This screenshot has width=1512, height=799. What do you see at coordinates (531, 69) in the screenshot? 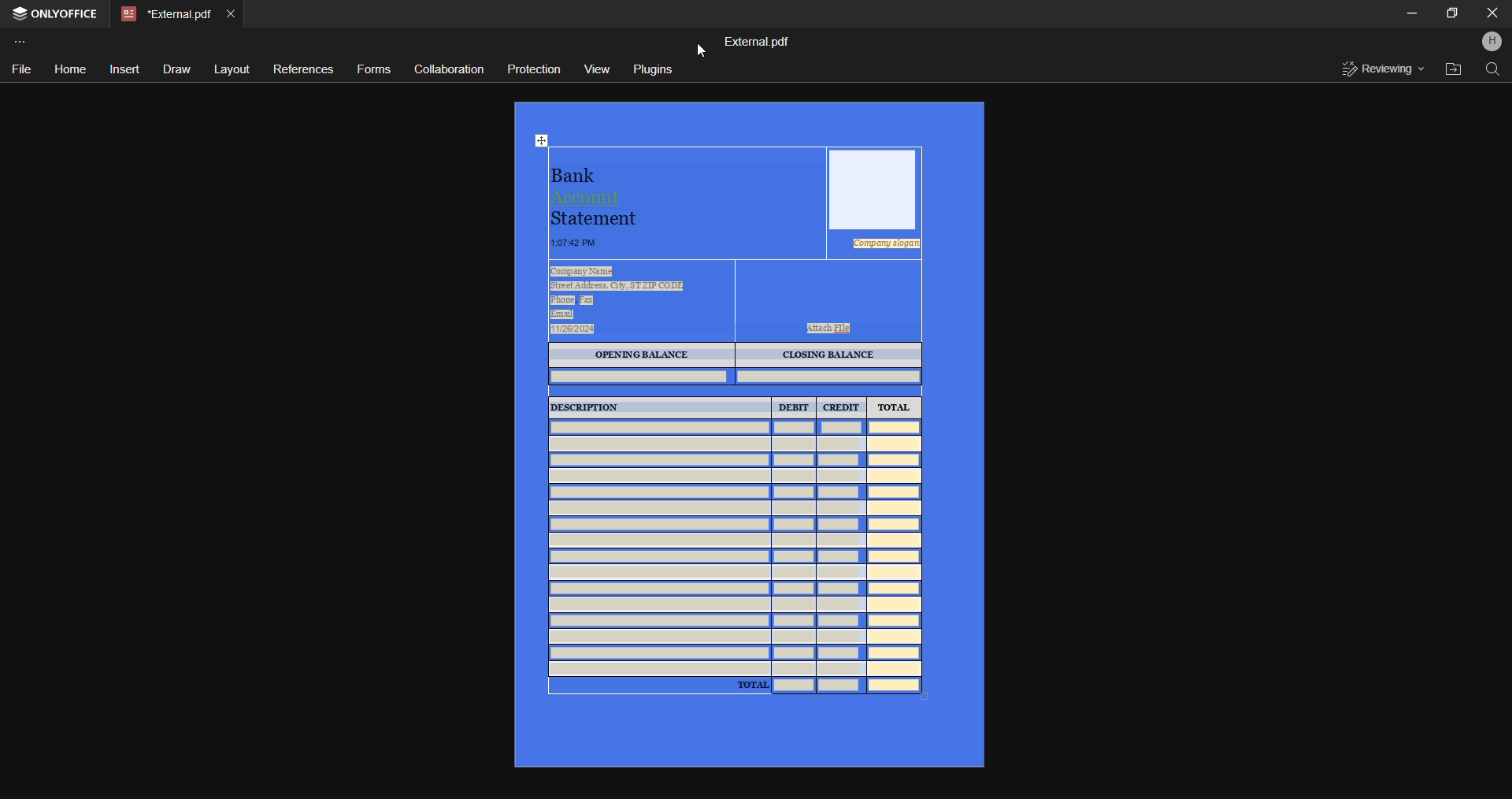
I see `Protection` at bounding box center [531, 69].